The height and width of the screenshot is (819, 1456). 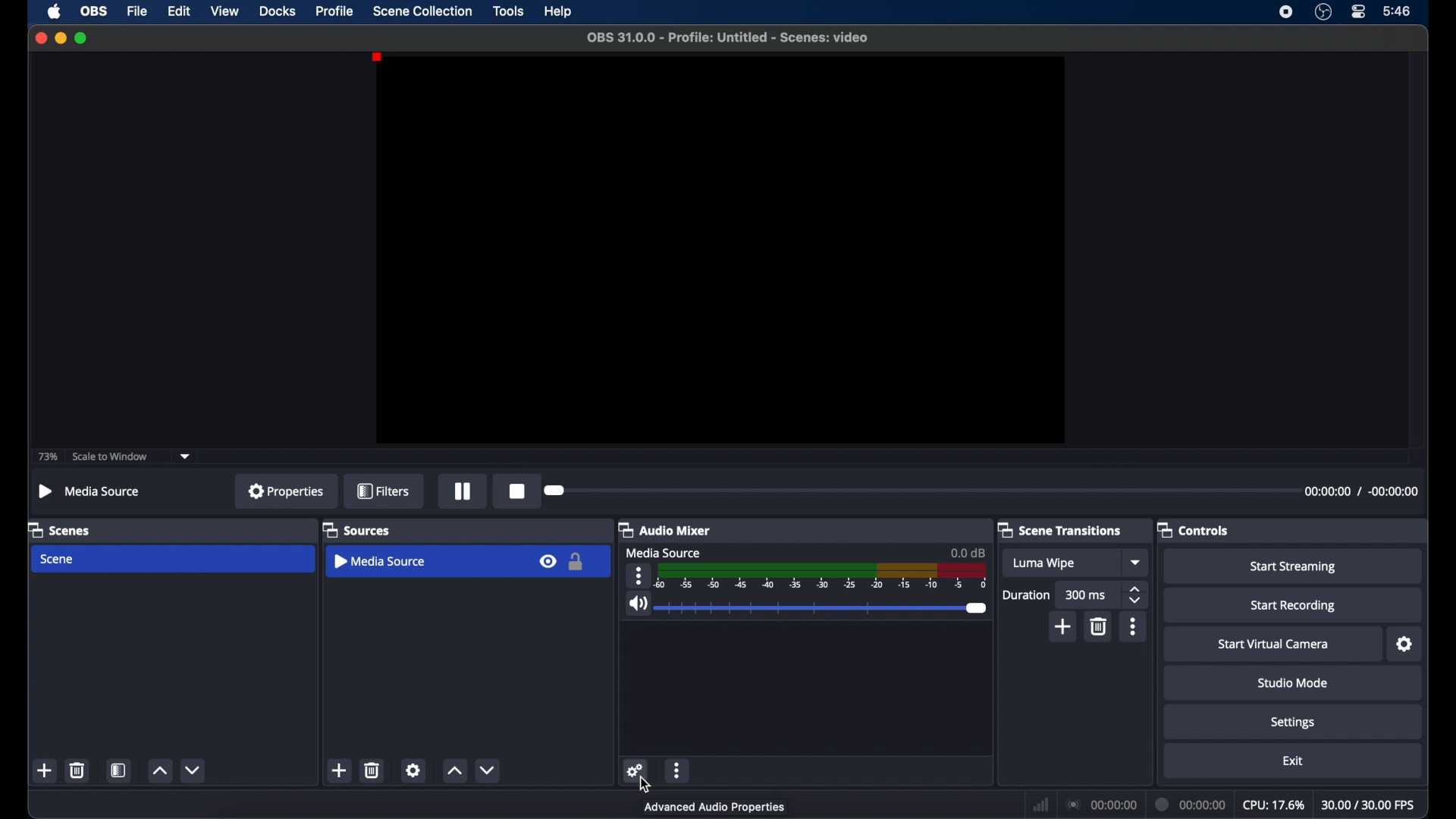 What do you see at coordinates (1323, 12) in the screenshot?
I see `obs studio` at bounding box center [1323, 12].